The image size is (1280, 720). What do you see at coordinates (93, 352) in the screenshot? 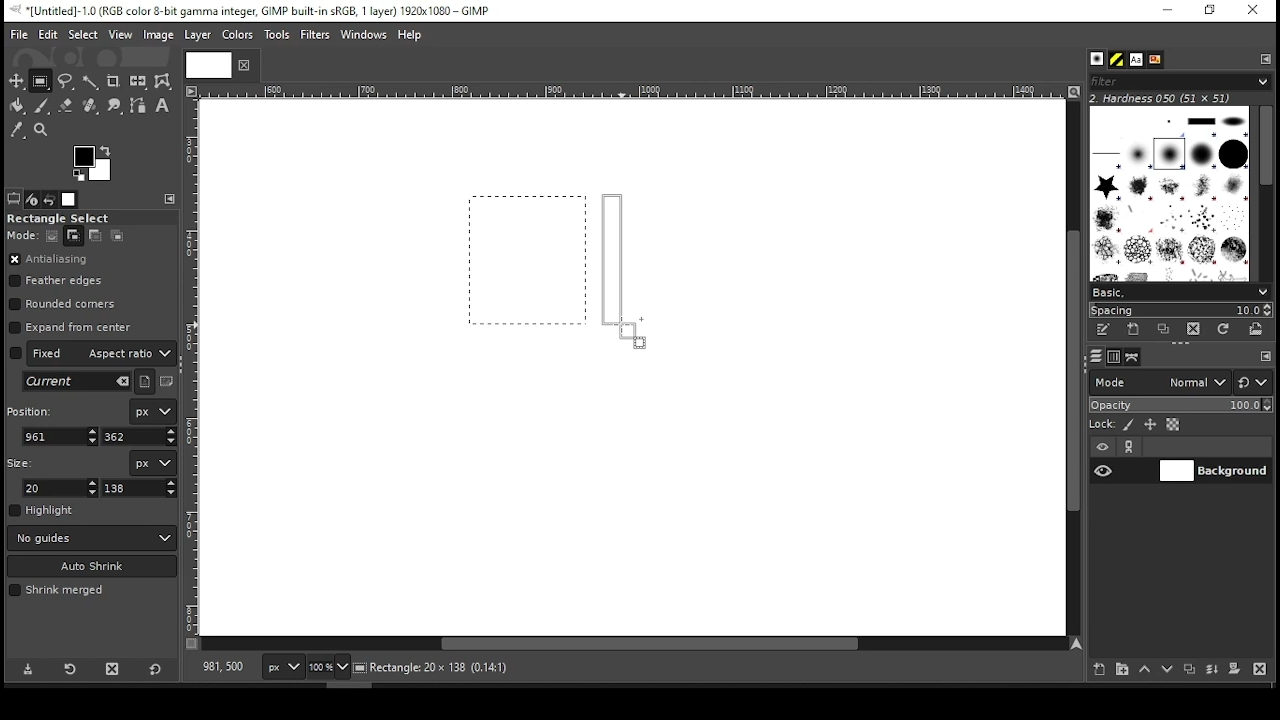
I see `aspect ratio` at bounding box center [93, 352].